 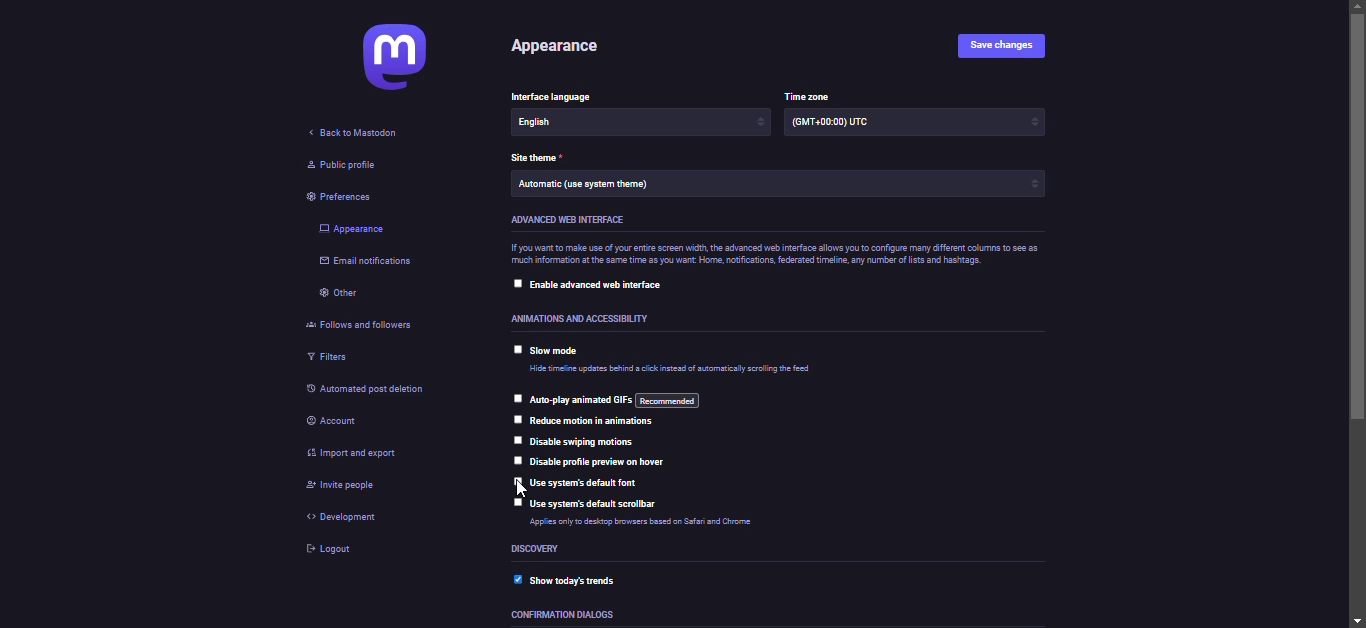 What do you see at coordinates (514, 419) in the screenshot?
I see `click to select` at bounding box center [514, 419].